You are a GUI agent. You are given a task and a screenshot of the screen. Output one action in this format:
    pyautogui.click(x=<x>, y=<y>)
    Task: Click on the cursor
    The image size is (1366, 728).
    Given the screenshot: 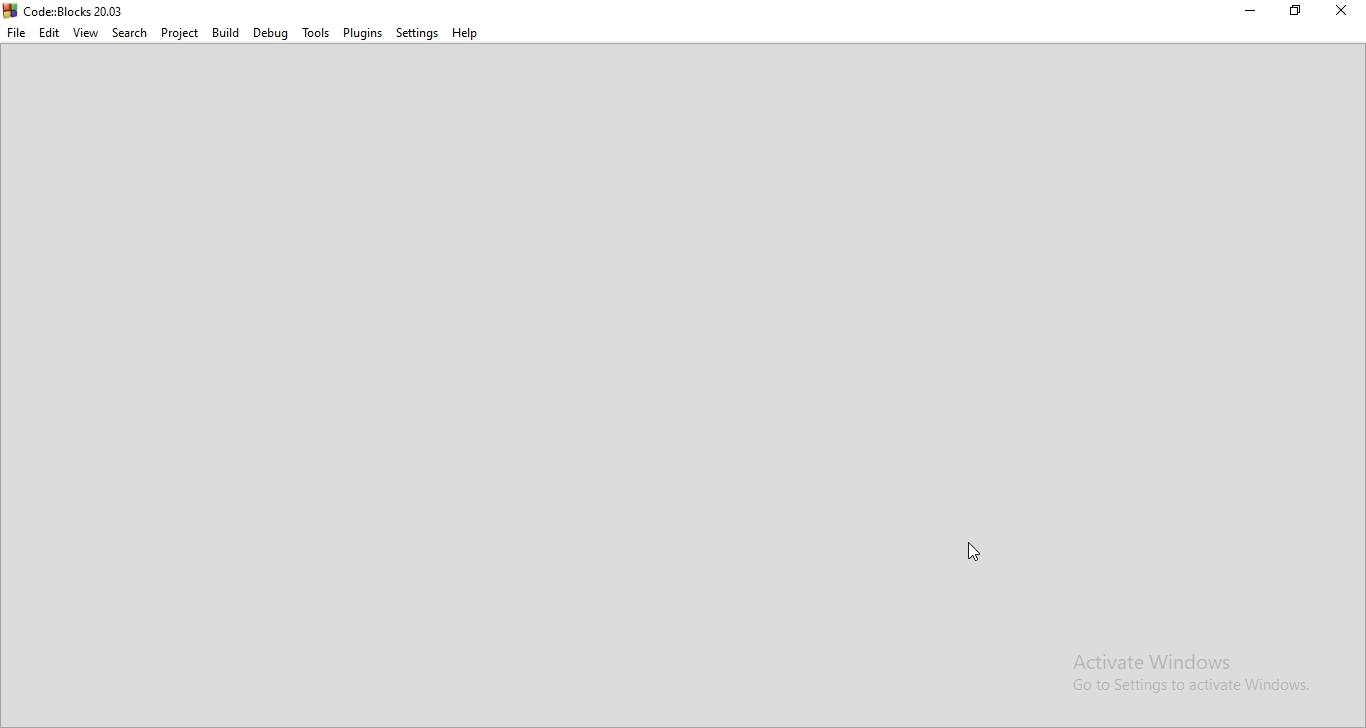 What is the action you would take?
    pyautogui.click(x=974, y=553)
    